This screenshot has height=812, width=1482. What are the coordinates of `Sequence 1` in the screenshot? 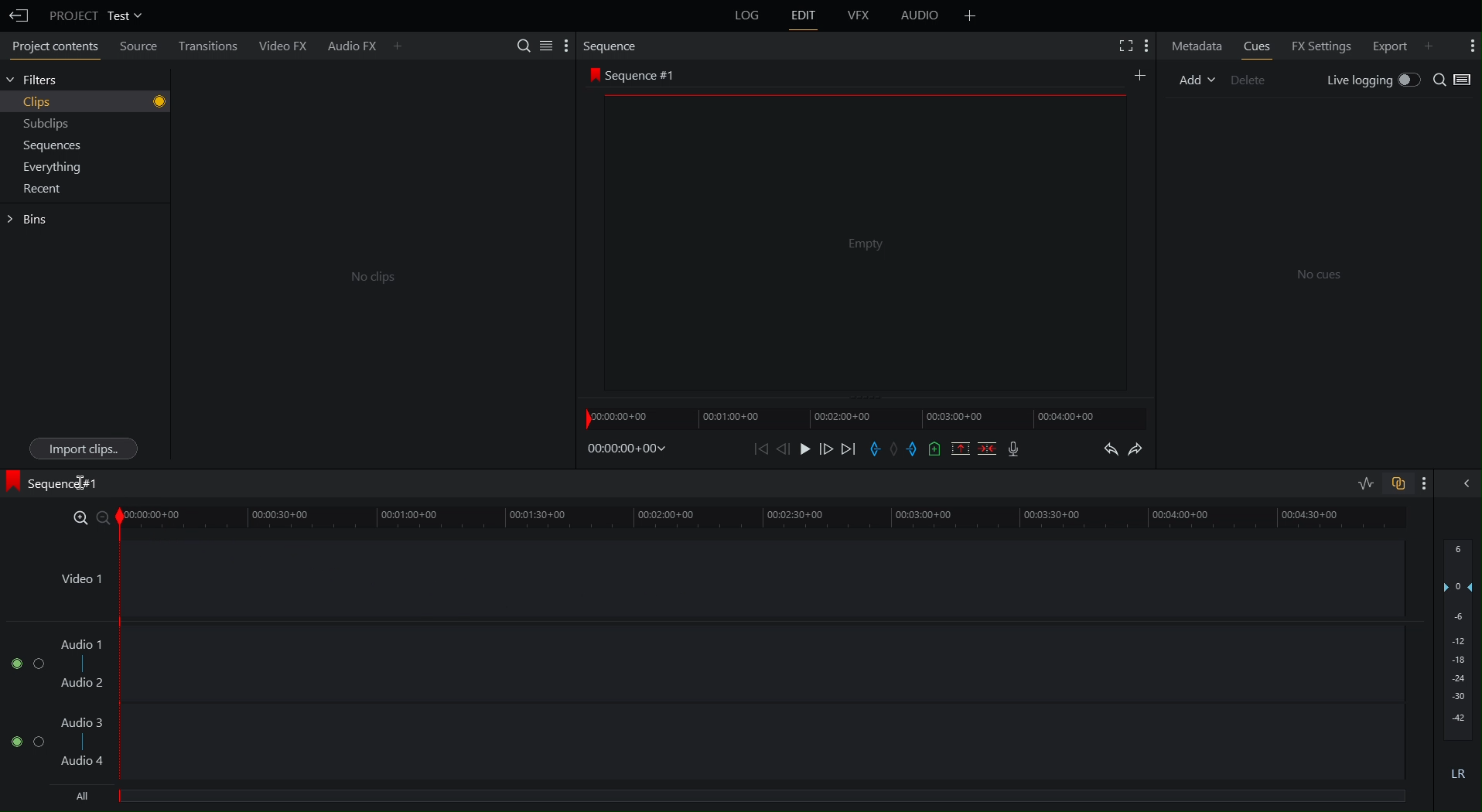 It's located at (55, 483).